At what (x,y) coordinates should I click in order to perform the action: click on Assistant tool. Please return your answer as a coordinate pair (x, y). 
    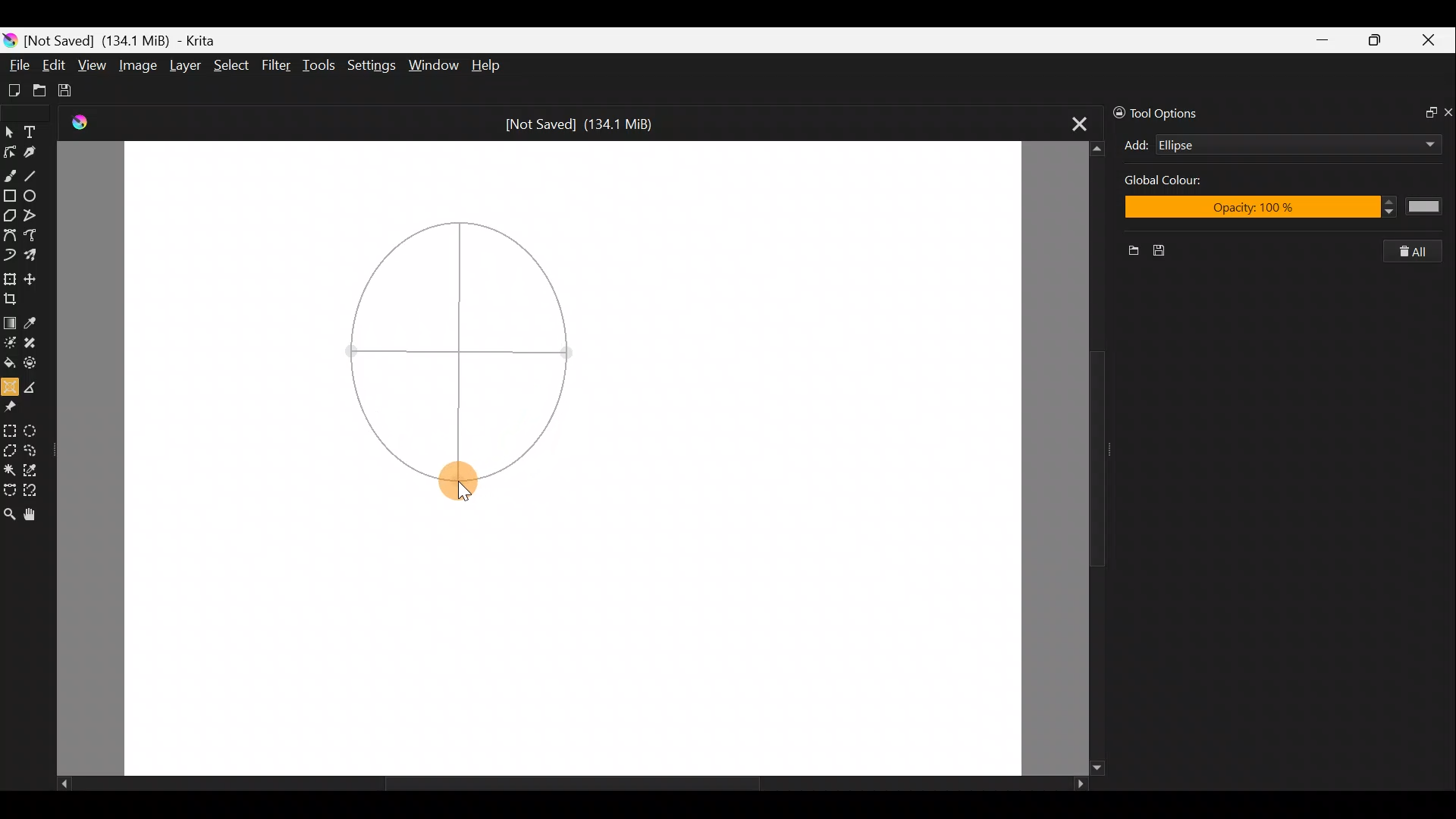
    Looking at the image, I should click on (10, 385).